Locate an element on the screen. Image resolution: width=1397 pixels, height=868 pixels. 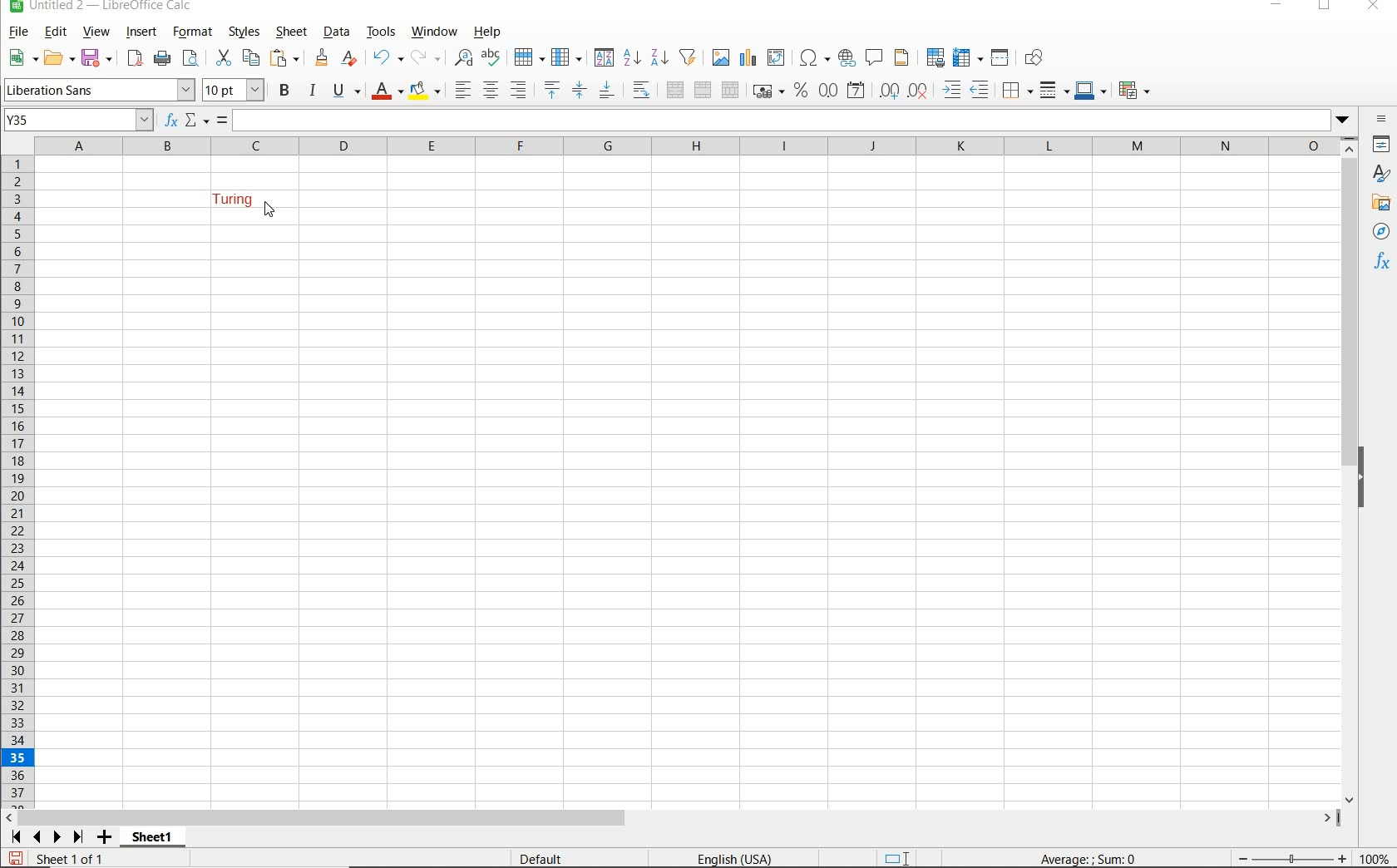
SORT DESCENDING is located at coordinates (659, 60).